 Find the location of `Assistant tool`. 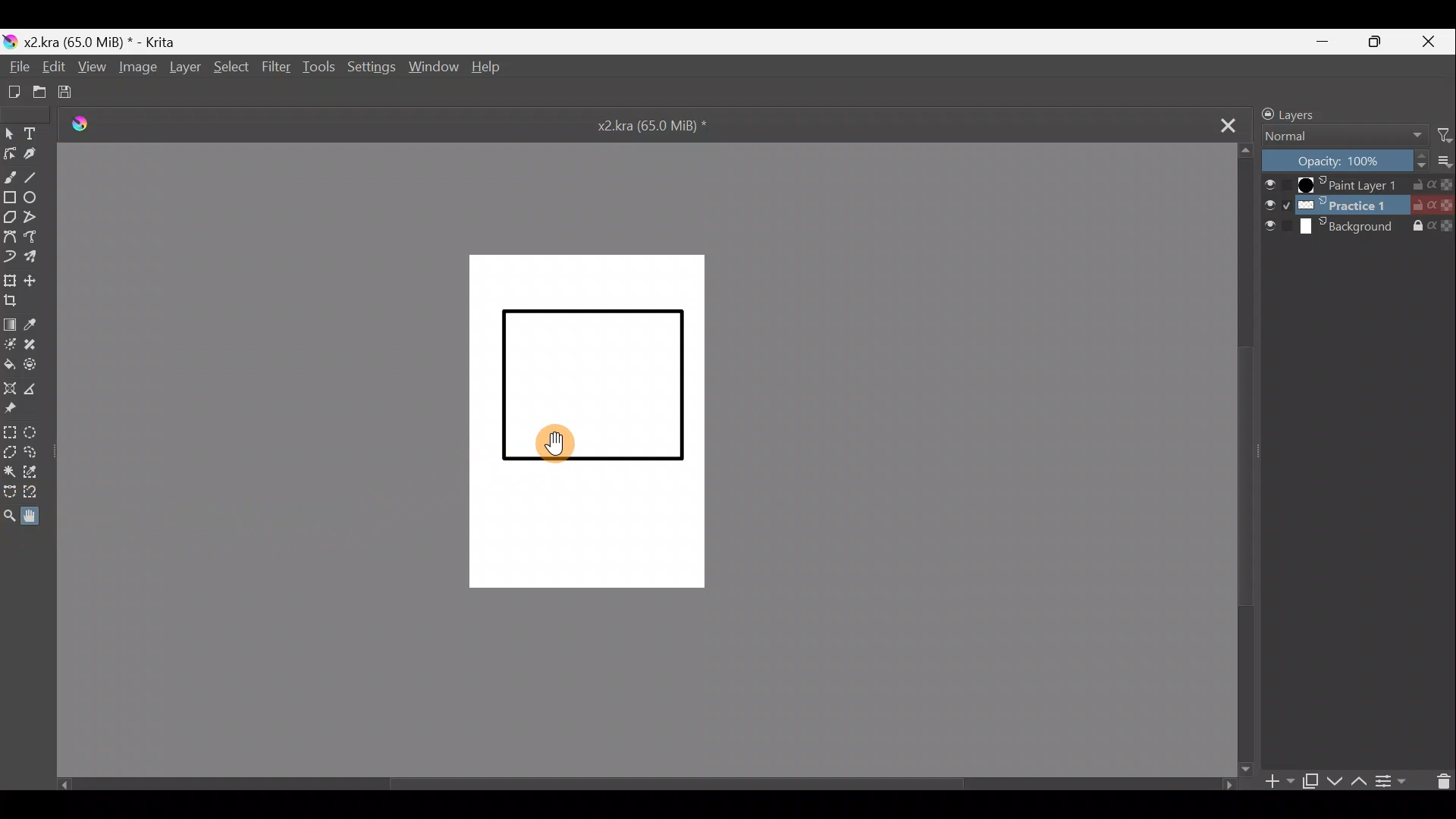

Assistant tool is located at coordinates (10, 387).